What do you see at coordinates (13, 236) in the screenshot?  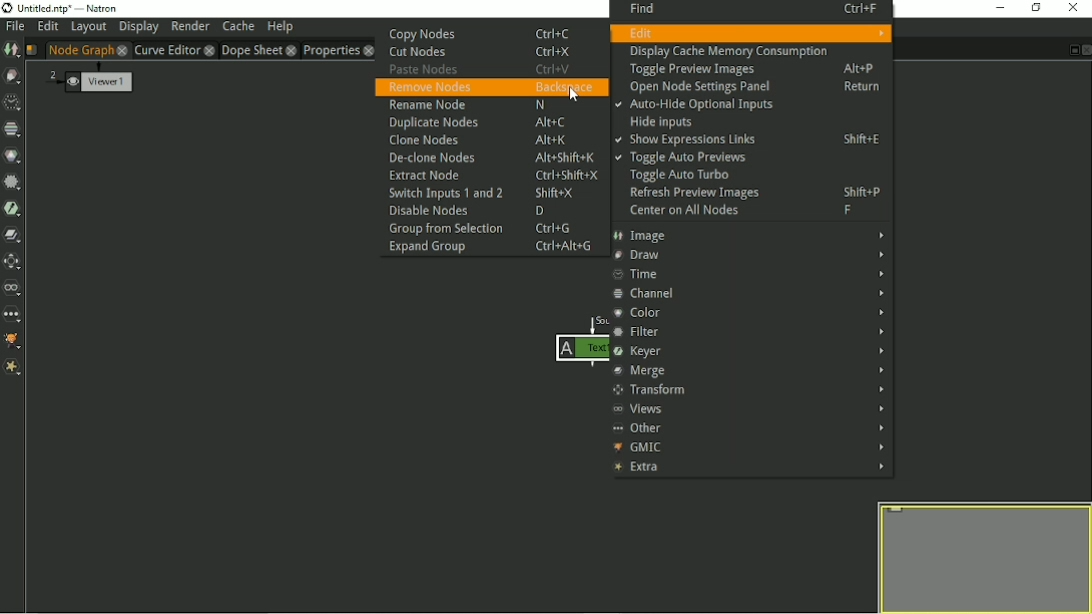 I see `Merge` at bounding box center [13, 236].